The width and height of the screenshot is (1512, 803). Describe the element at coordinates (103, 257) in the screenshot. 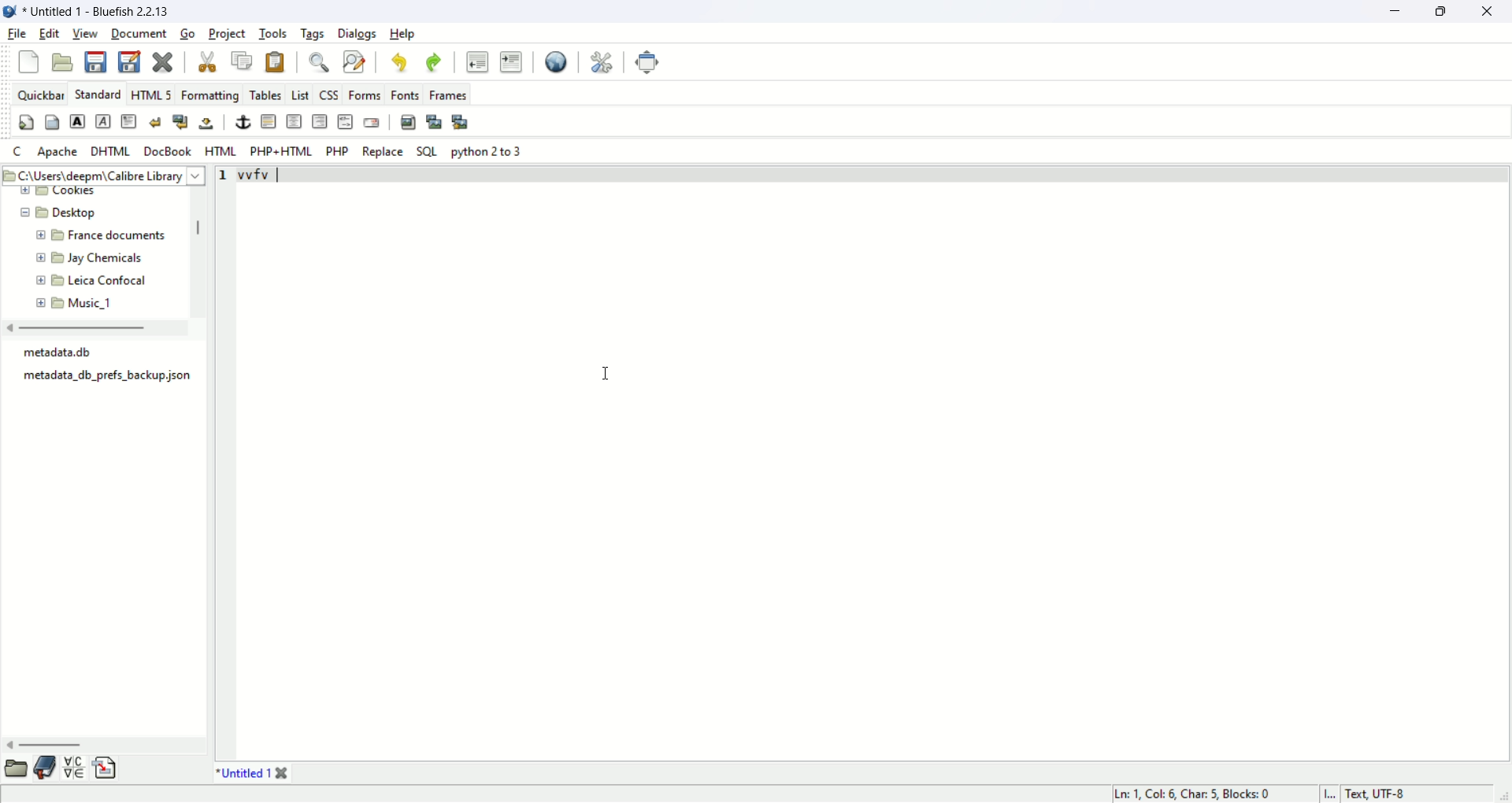

I see `folder name` at that location.